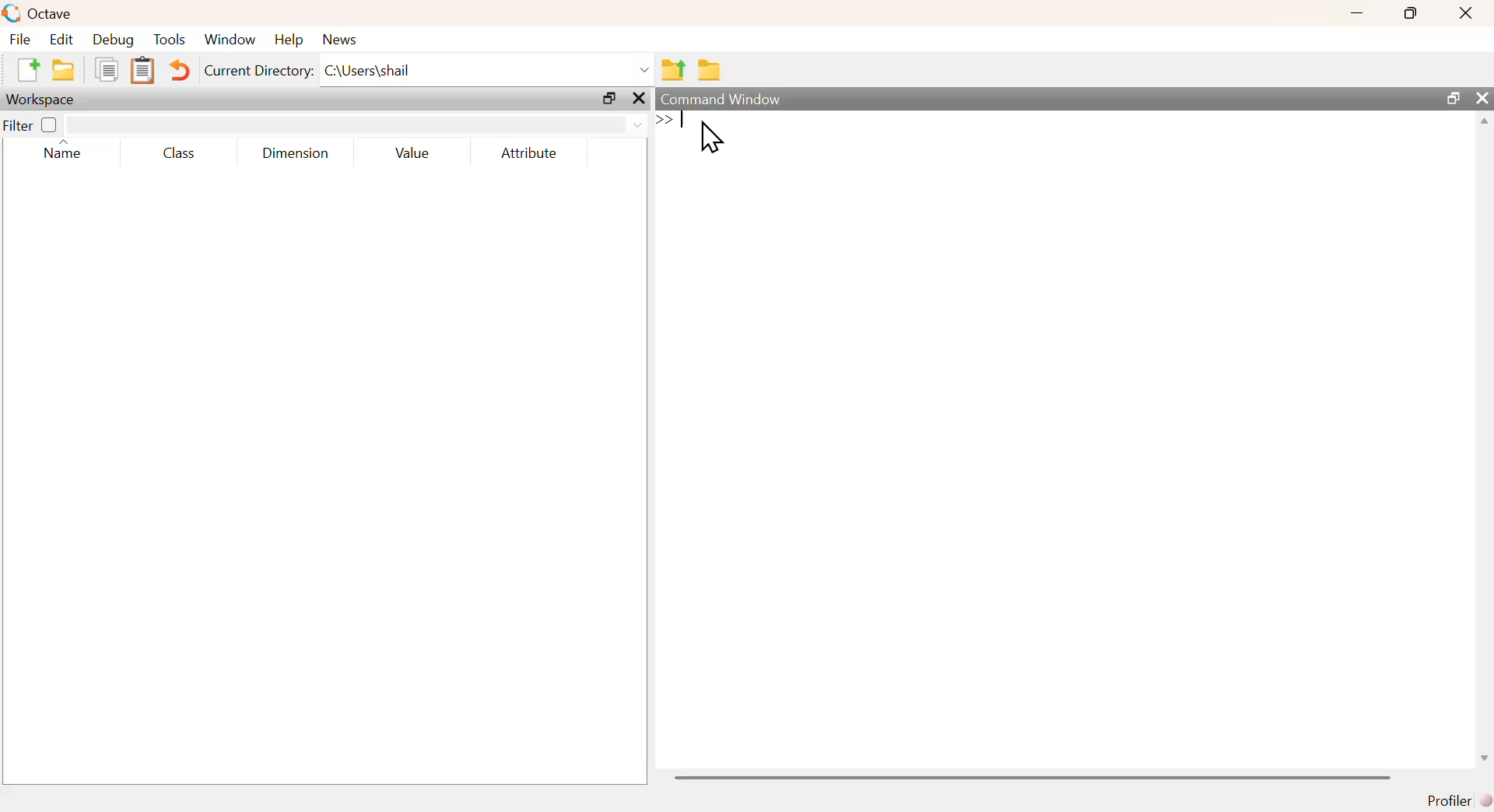 This screenshot has width=1494, height=812. What do you see at coordinates (300, 156) in the screenshot?
I see `dimension` at bounding box center [300, 156].